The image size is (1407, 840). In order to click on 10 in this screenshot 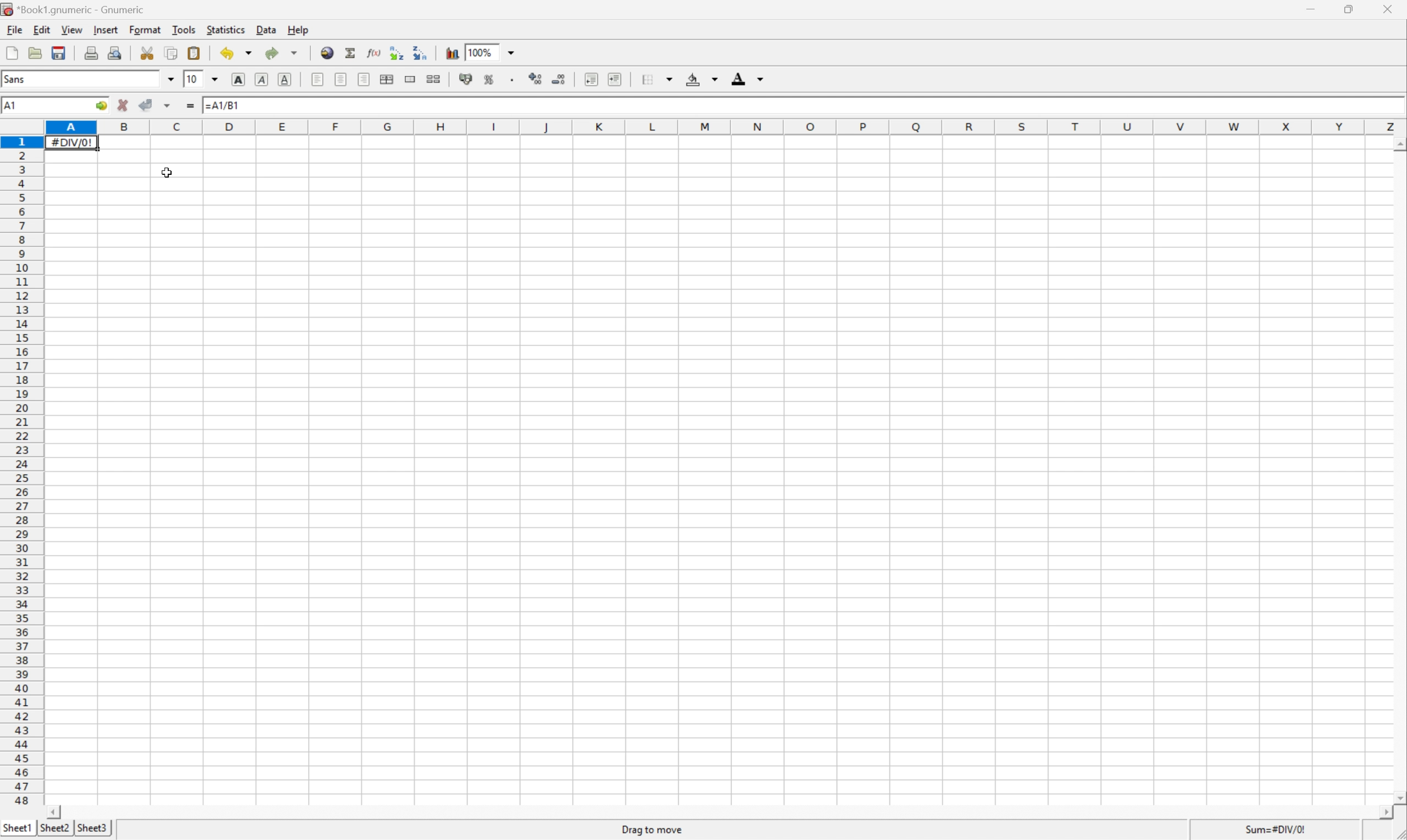, I will do `click(196, 79)`.